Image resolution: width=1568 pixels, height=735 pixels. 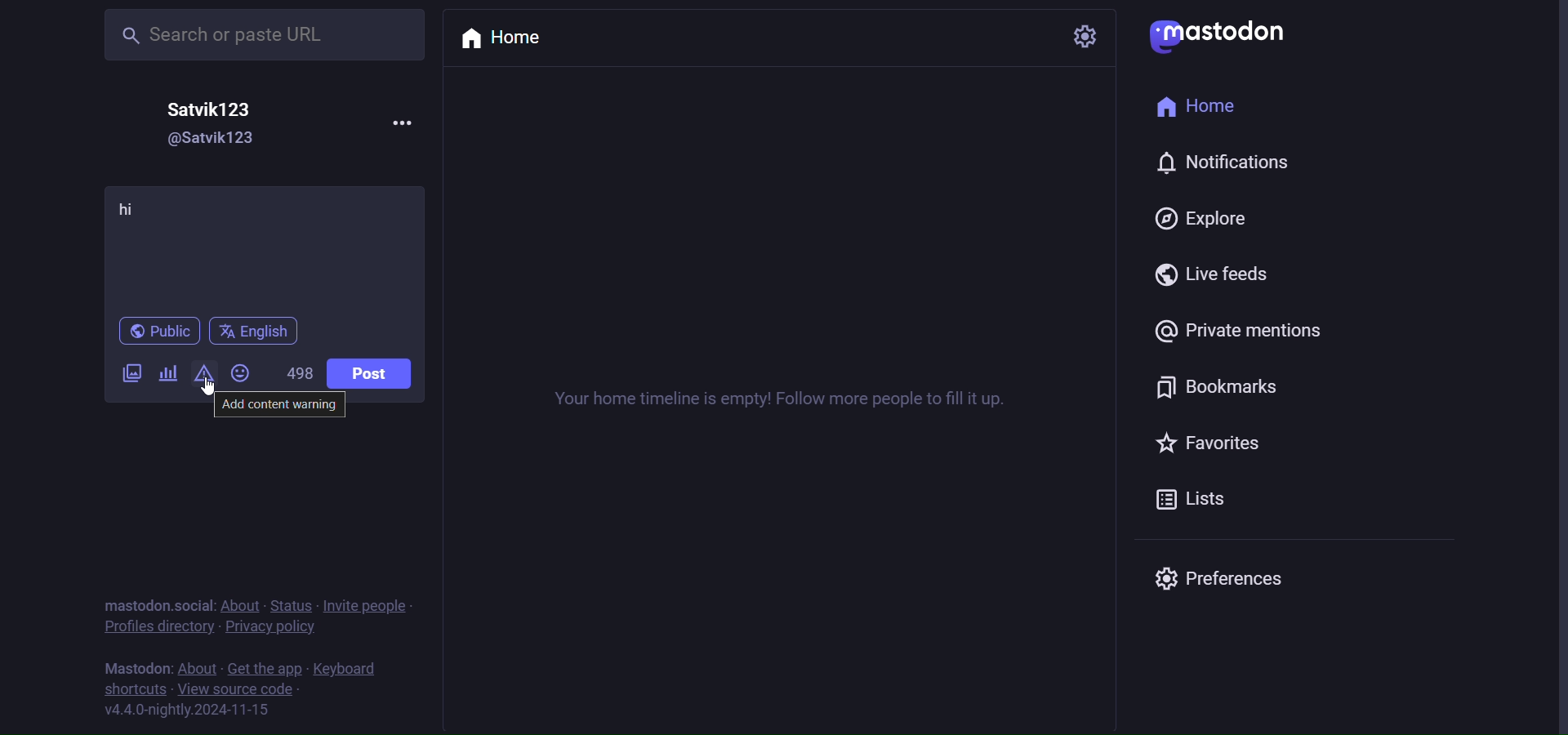 What do you see at coordinates (1205, 503) in the screenshot?
I see `lists` at bounding box center [1205, 503].